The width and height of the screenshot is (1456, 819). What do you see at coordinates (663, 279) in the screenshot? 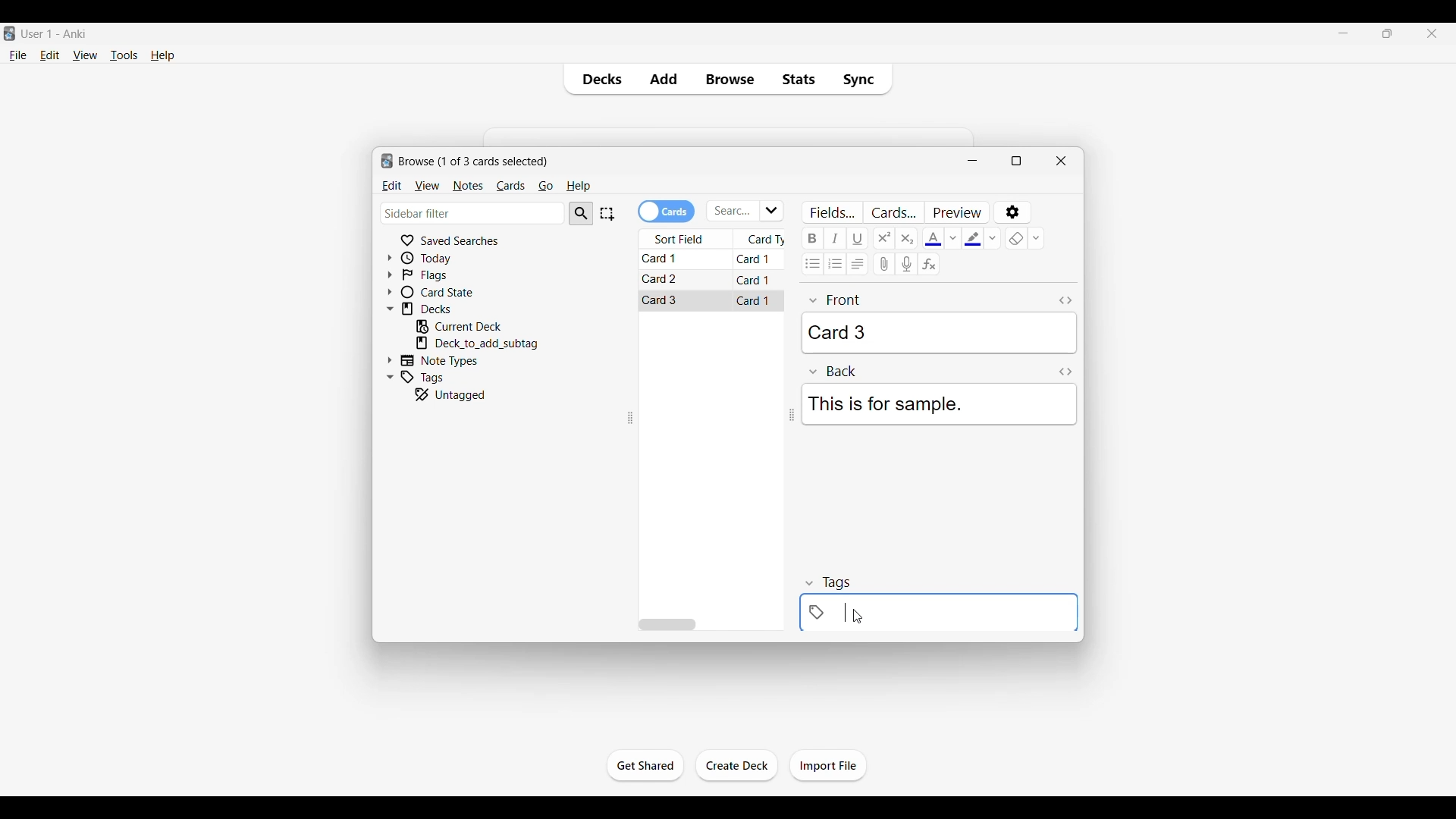
I see `Card 2` at bounding box center [663, 279].